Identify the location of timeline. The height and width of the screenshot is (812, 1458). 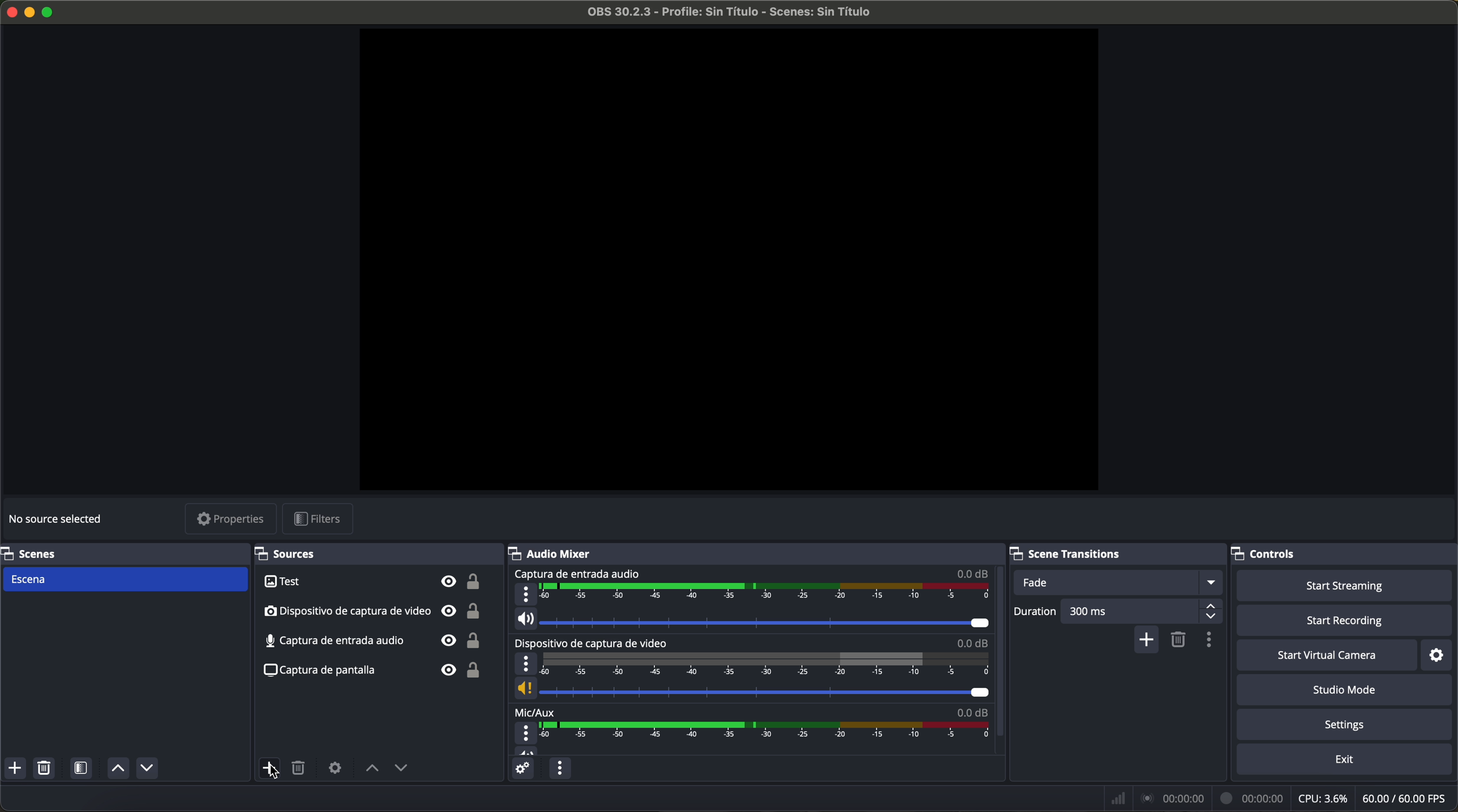
(768, 737).